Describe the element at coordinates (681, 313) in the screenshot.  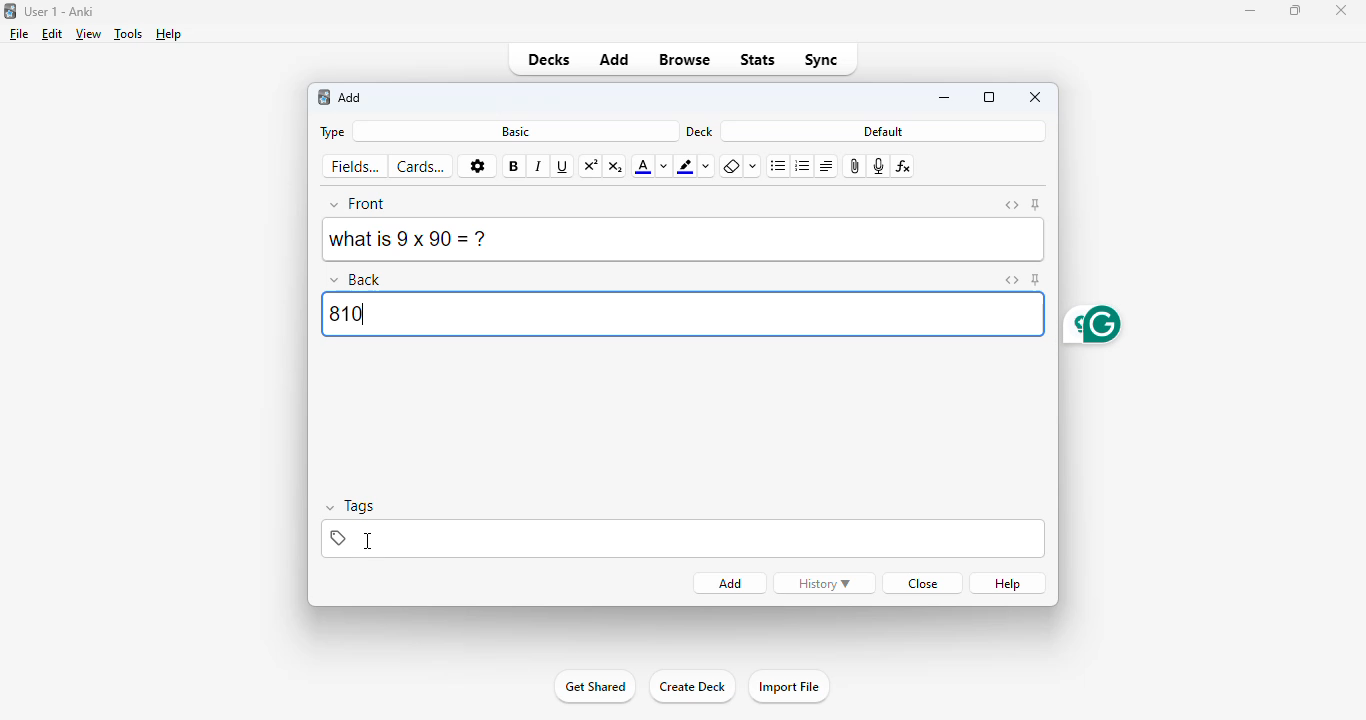
I see `810` at that location.